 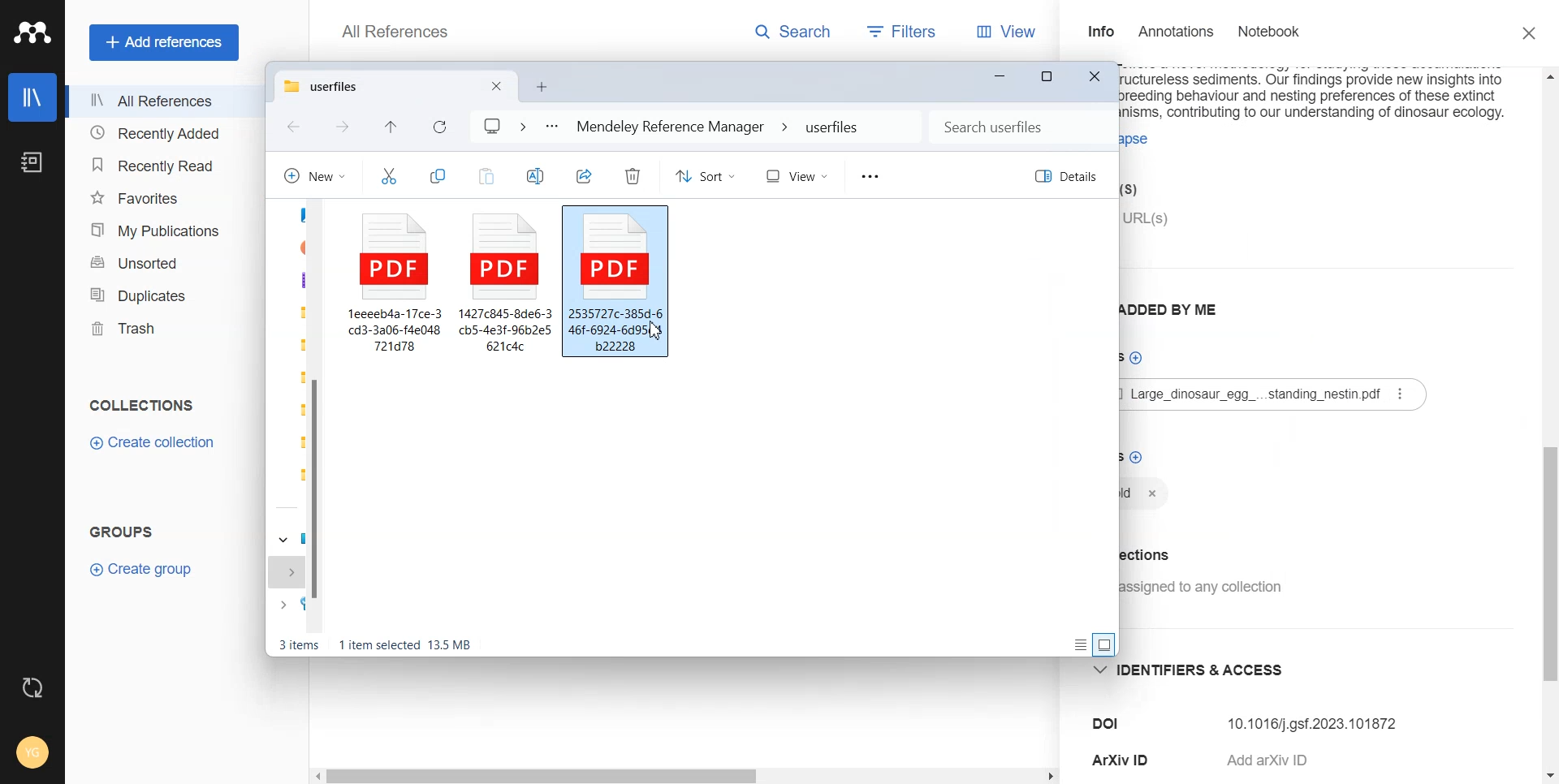 I want to click on Scroll down, so click(x=1548, y=774).